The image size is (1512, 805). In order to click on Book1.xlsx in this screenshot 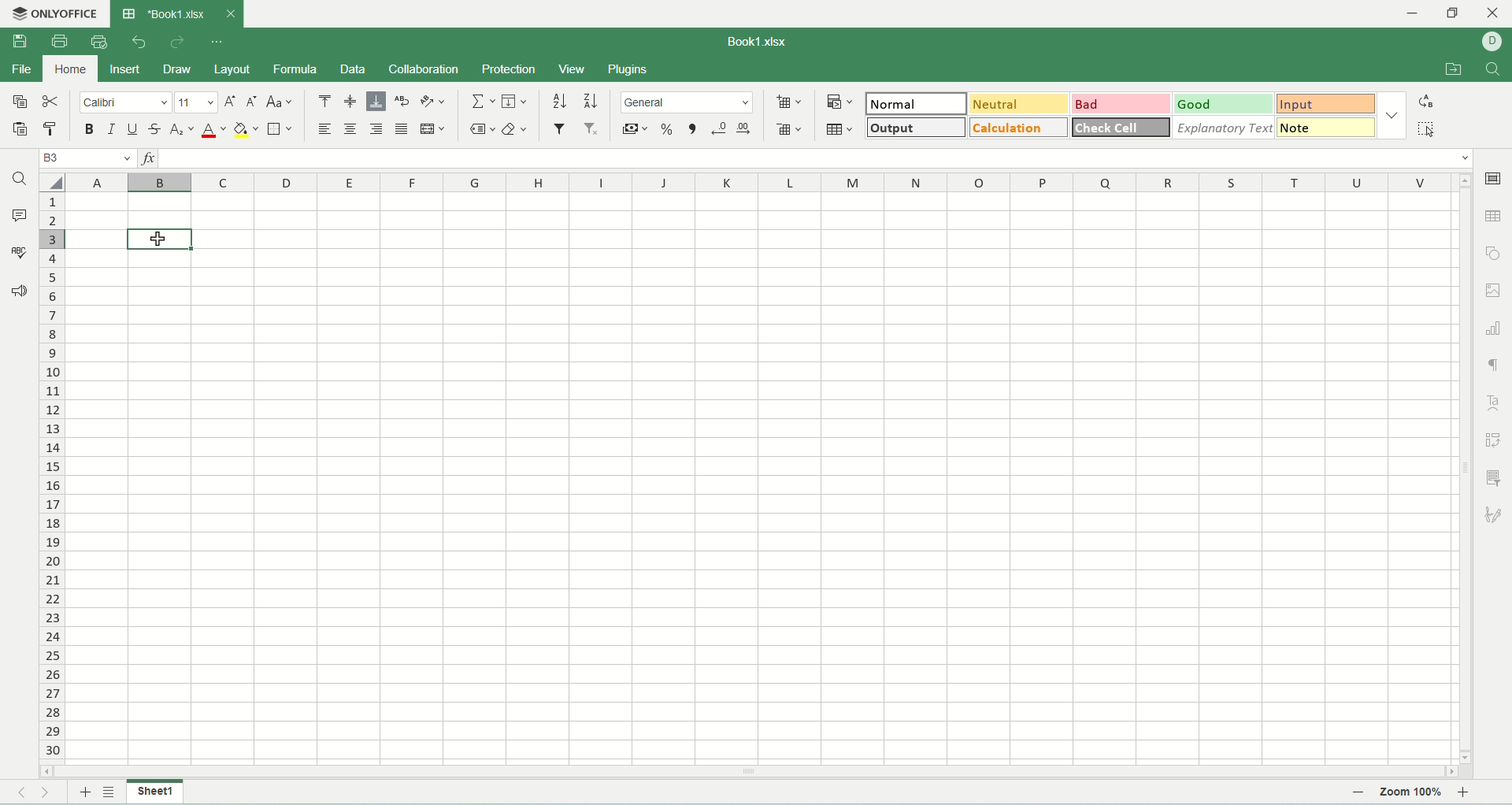, I will do `click(767, 40)`.